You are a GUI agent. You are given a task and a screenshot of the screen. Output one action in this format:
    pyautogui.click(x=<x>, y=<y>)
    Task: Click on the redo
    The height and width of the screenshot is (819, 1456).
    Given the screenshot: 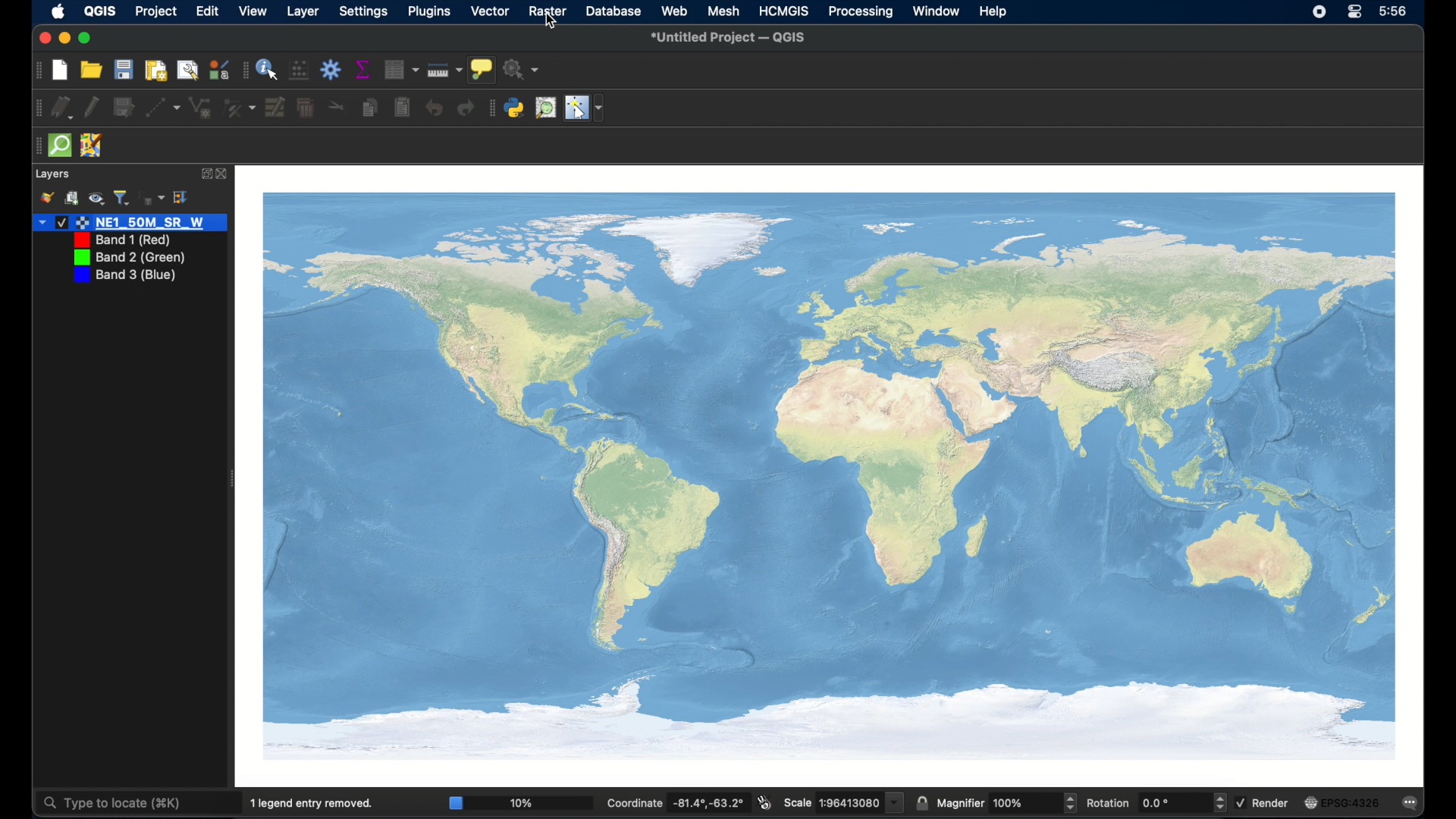 What is the action you would take?
    pyautogui.click(x=465, y=108)
    